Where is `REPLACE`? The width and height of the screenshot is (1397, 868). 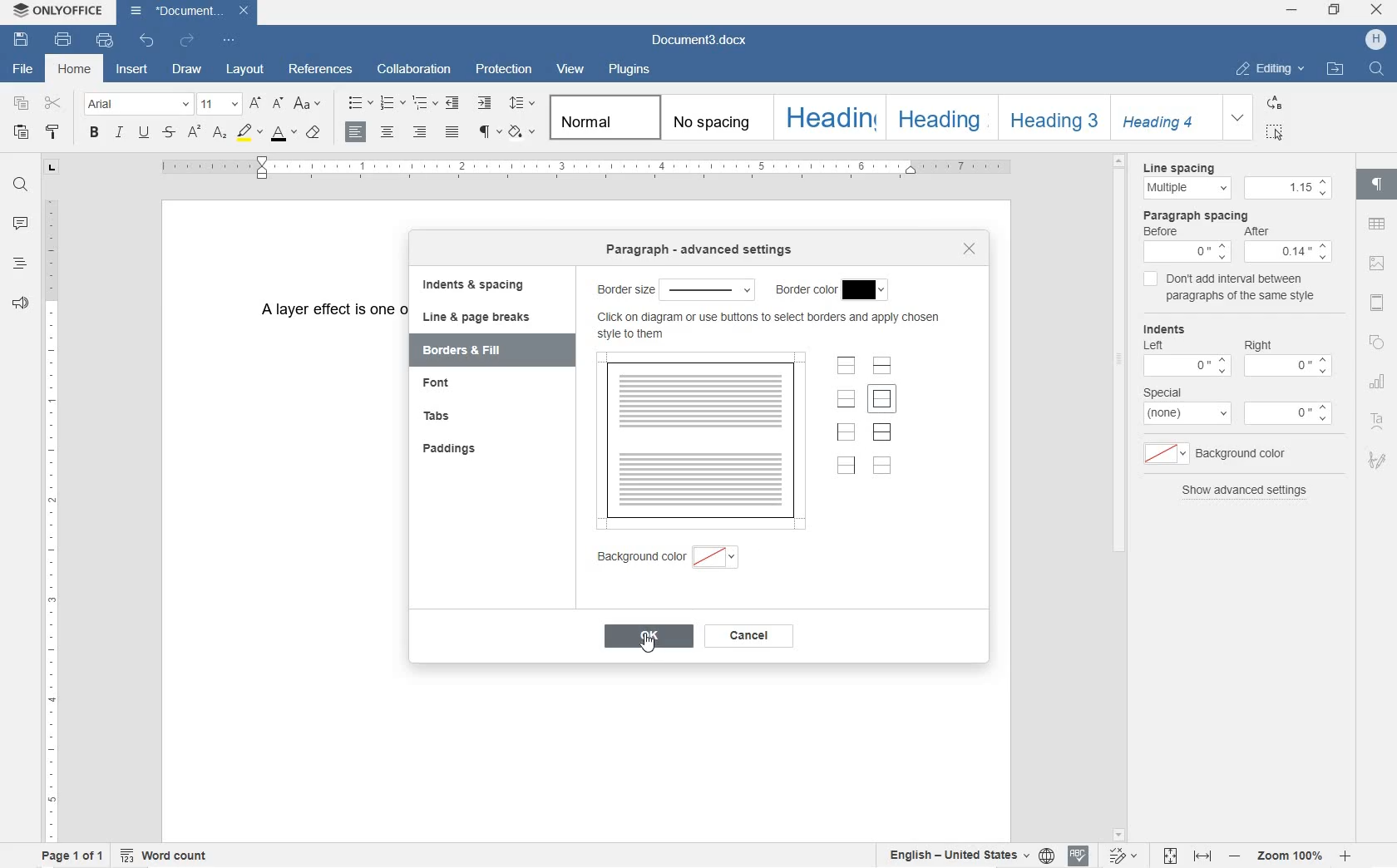
REPLACE is located at coordinates (1273, 101).